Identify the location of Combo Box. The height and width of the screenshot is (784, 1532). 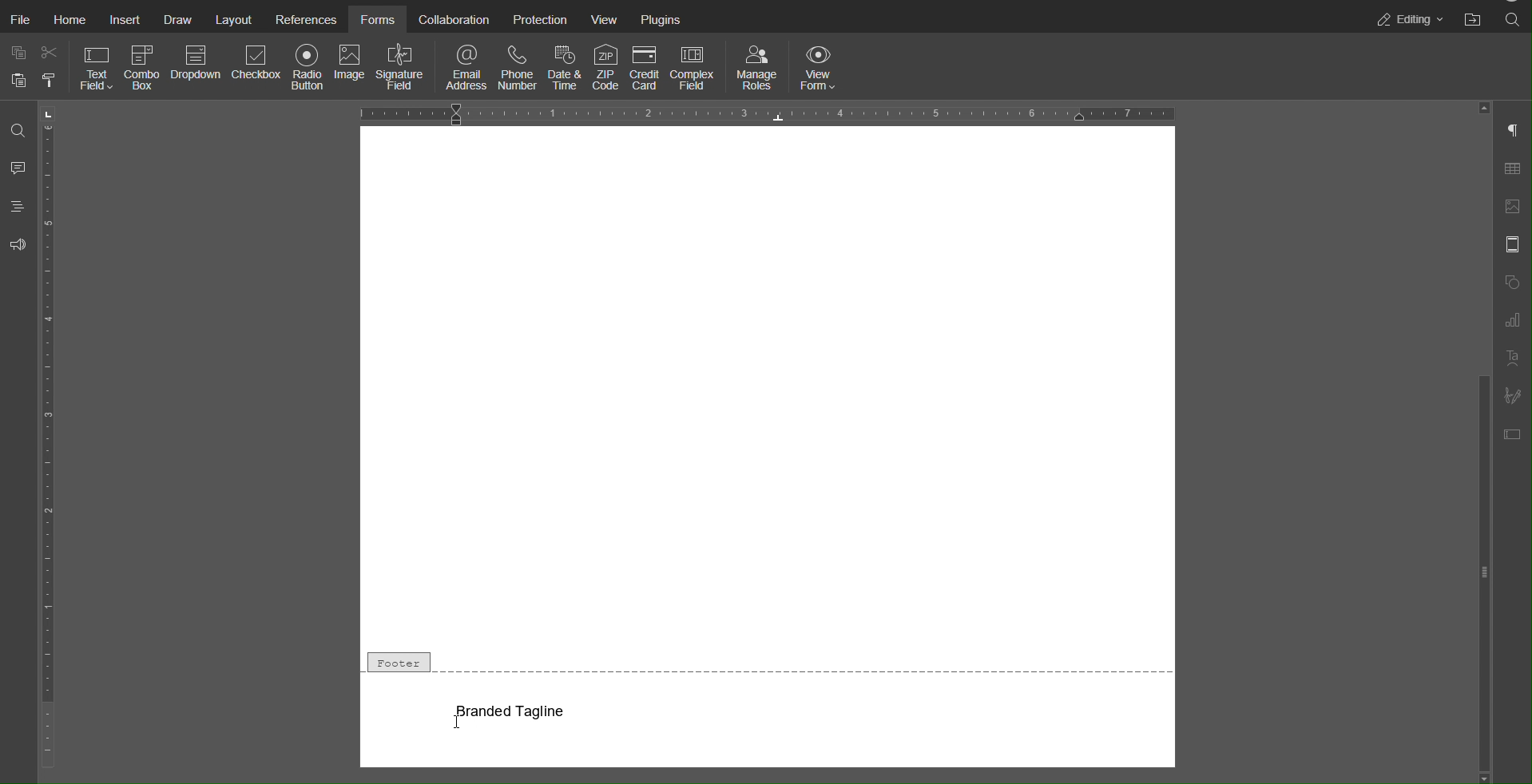
(143, 70).